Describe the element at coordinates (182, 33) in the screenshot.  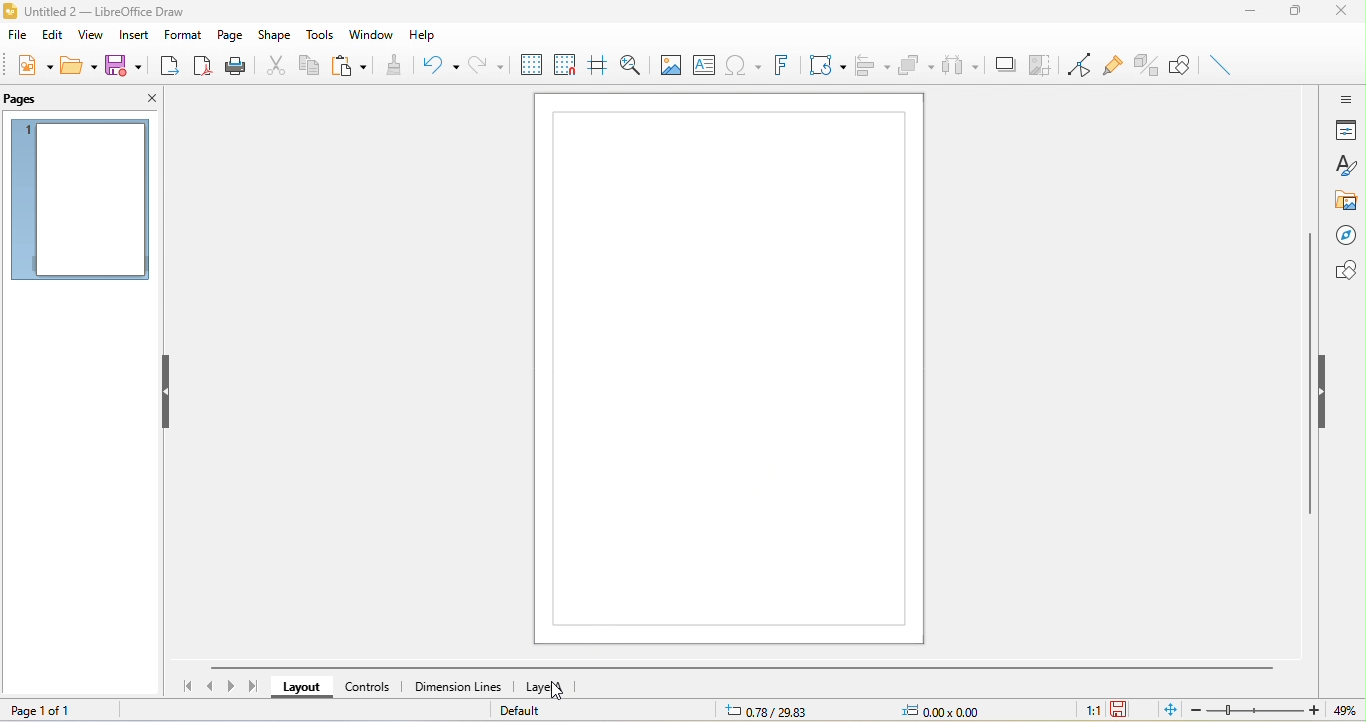
I see `format` at that location.